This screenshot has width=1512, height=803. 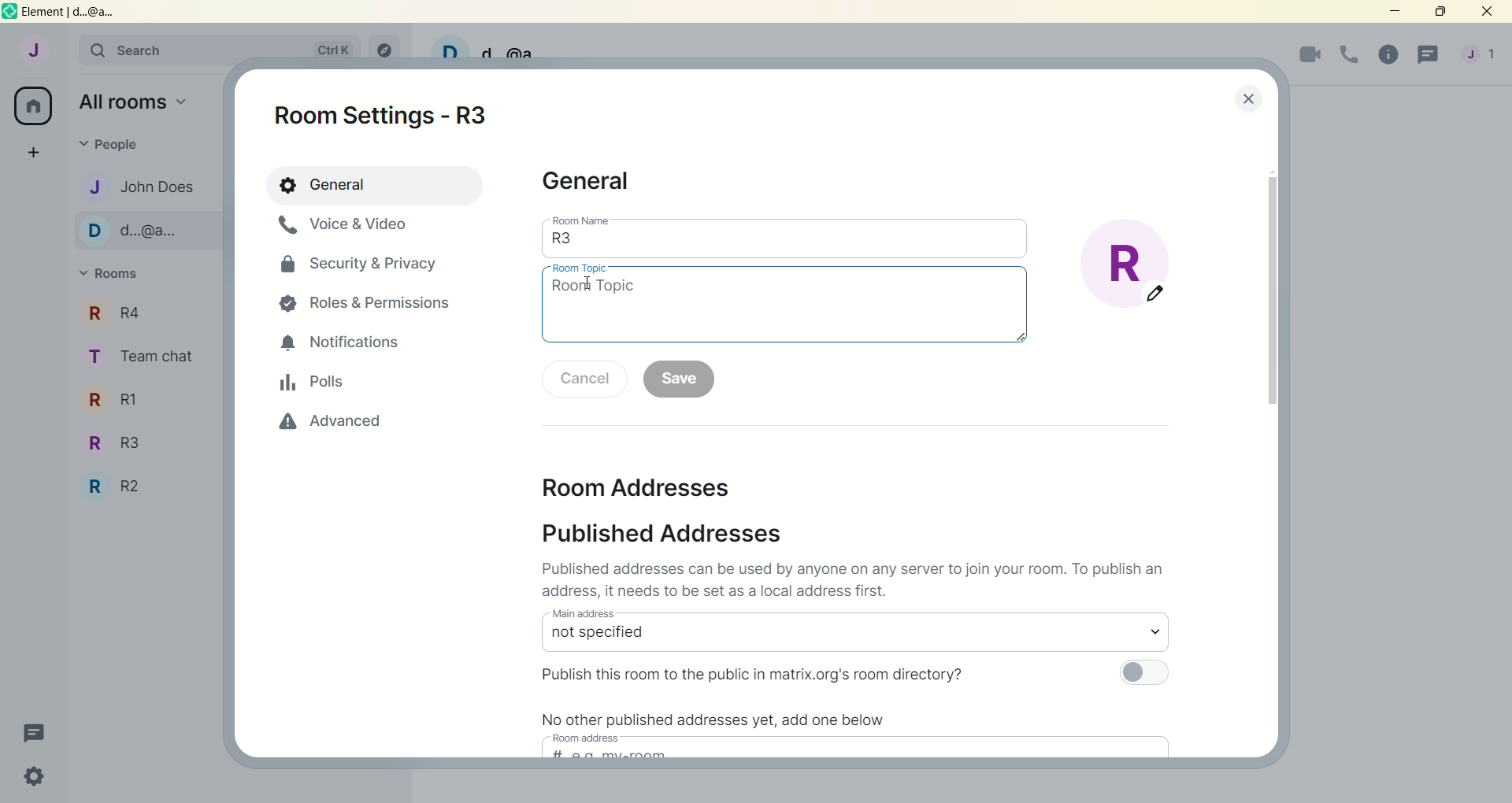 What do you see at coordinates (1125, 265) in the screenshot?
I see `edit room display picture` at bounding box center [1125, 265].